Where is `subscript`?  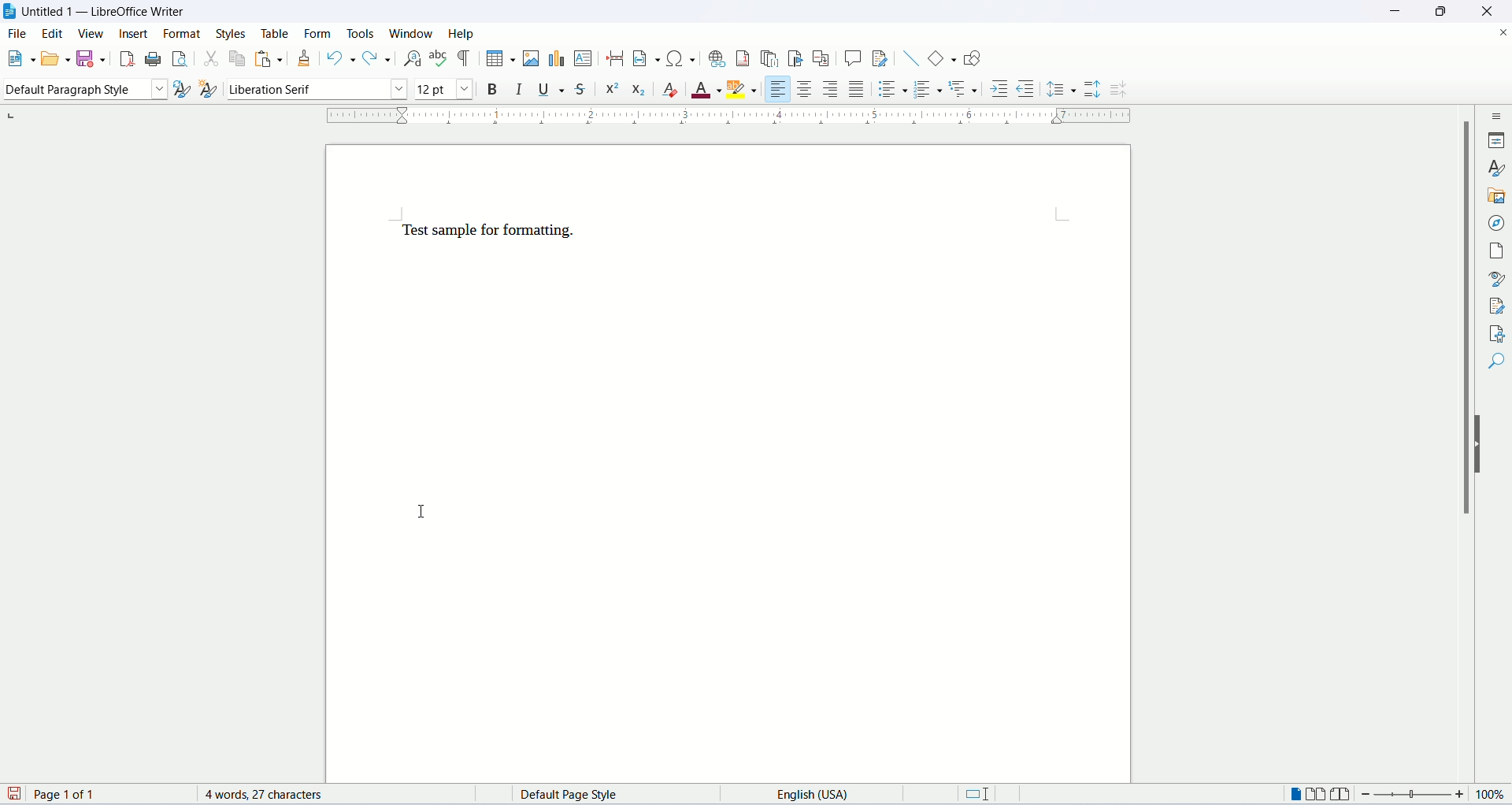
subscript is located at coordinates (639, 87).